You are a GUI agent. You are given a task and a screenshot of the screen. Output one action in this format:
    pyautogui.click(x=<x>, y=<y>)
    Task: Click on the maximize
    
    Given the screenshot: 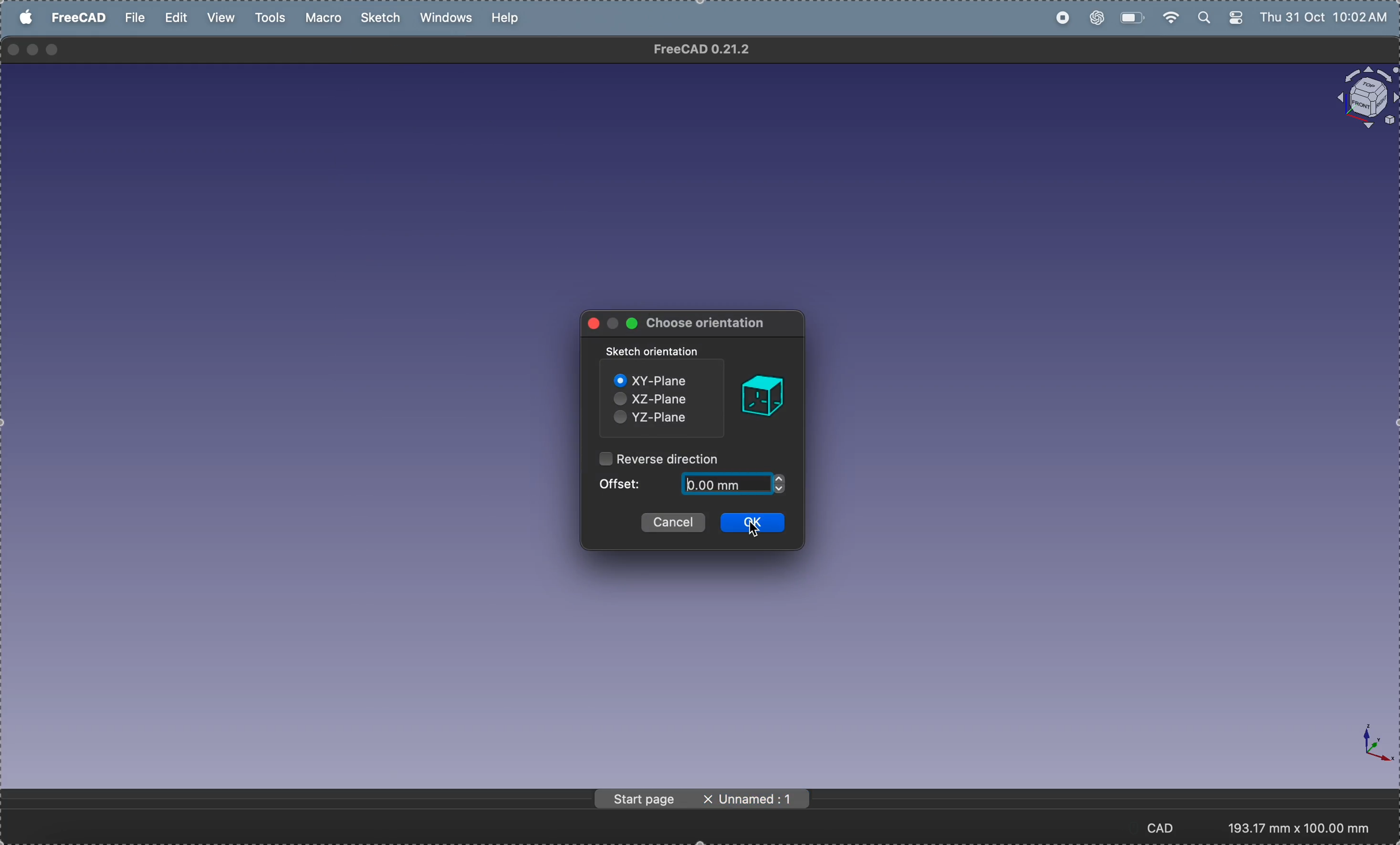 What is the action you would take?
    pyautogui.click(x=631, y=323)
    